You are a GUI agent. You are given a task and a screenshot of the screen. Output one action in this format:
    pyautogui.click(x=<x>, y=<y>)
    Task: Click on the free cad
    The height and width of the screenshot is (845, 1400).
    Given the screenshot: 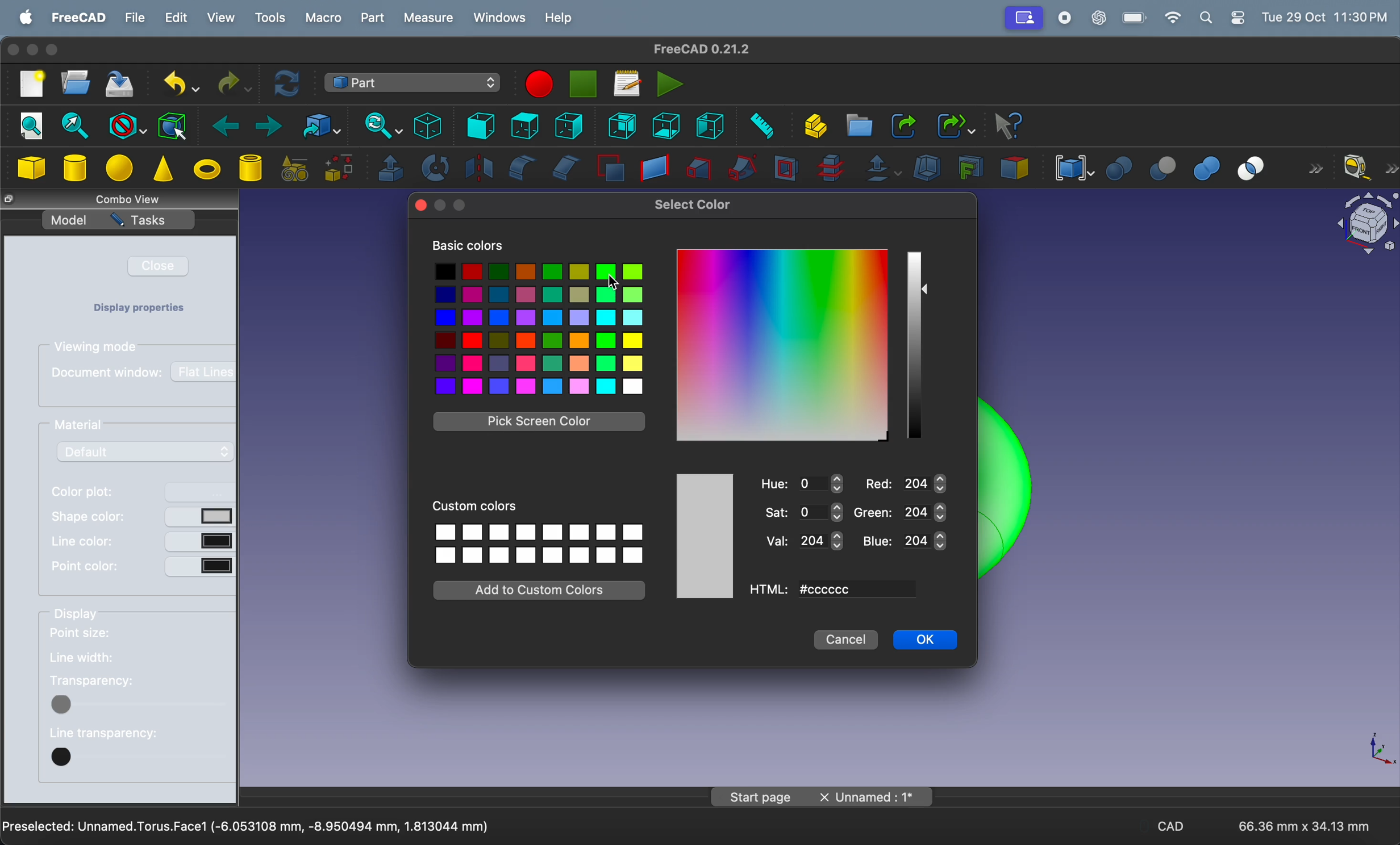 What is the action you would take?
    pyautogui.click(x=79, y=19)
    